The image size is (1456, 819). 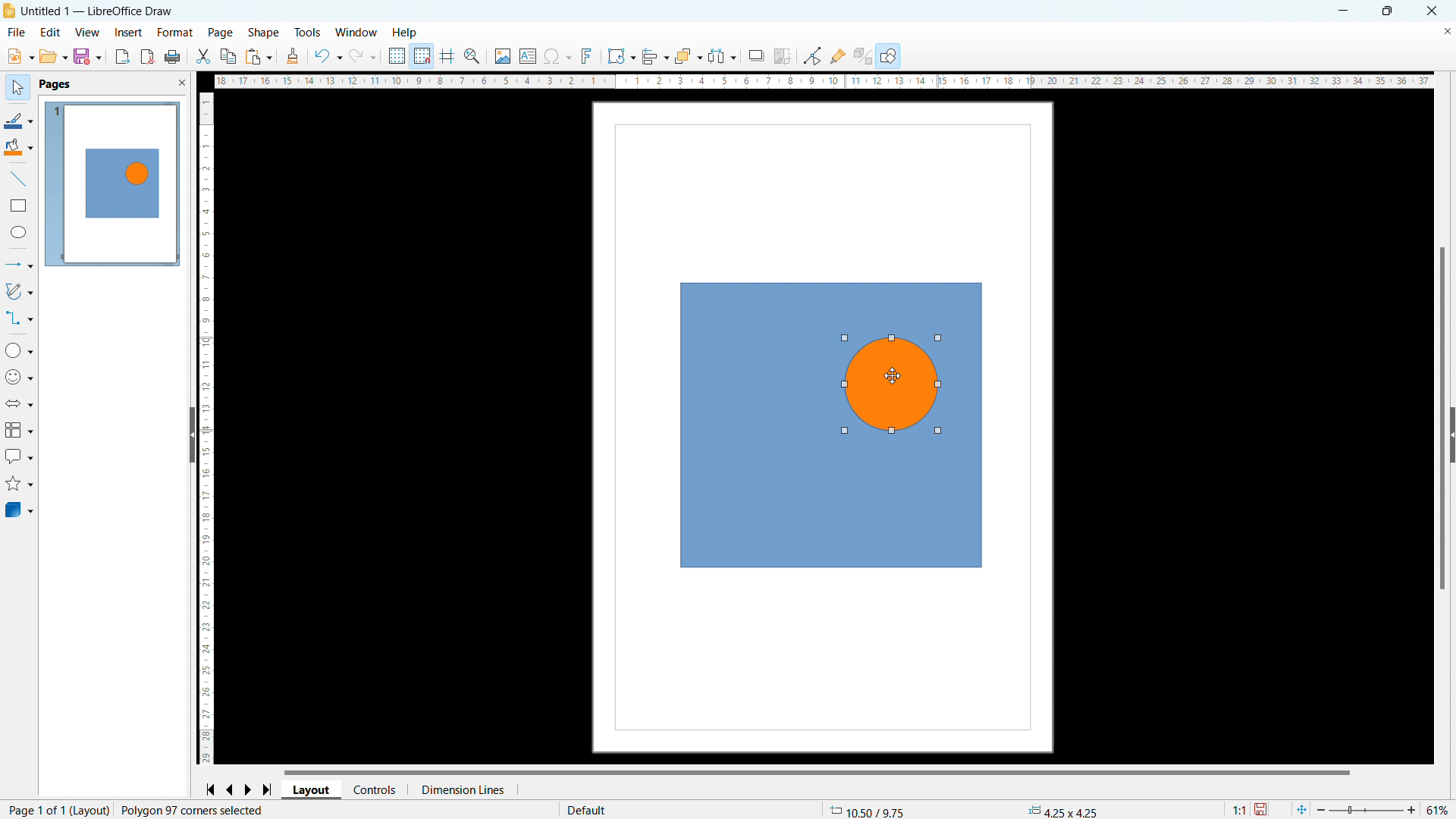 What do you see at coordinates (264, 33) in the screenshot?
I see `shape` at bounding box center [264, 33].